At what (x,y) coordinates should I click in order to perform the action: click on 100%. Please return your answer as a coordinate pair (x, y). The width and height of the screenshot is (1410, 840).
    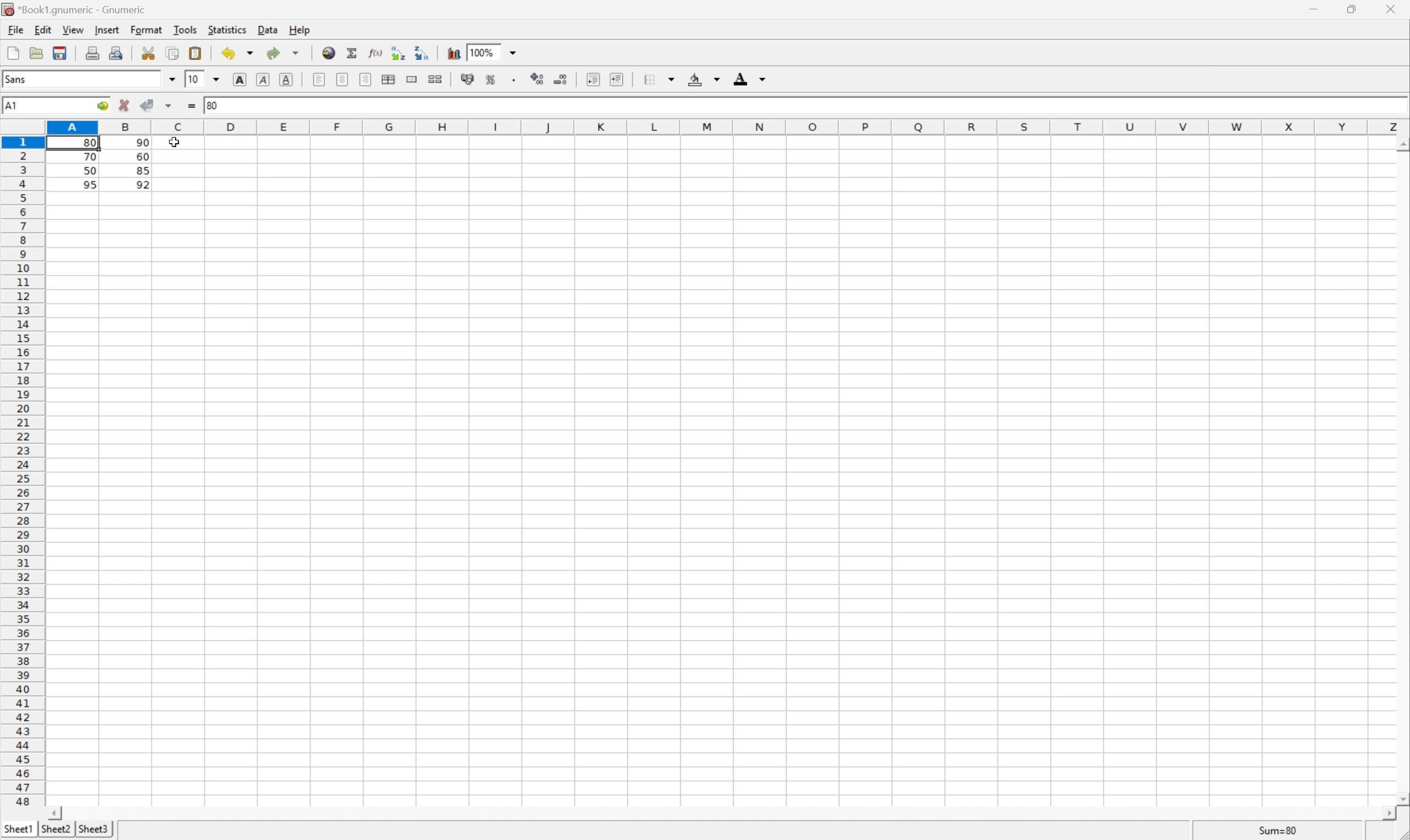
    Looking at the image, I should click on (490, 52).